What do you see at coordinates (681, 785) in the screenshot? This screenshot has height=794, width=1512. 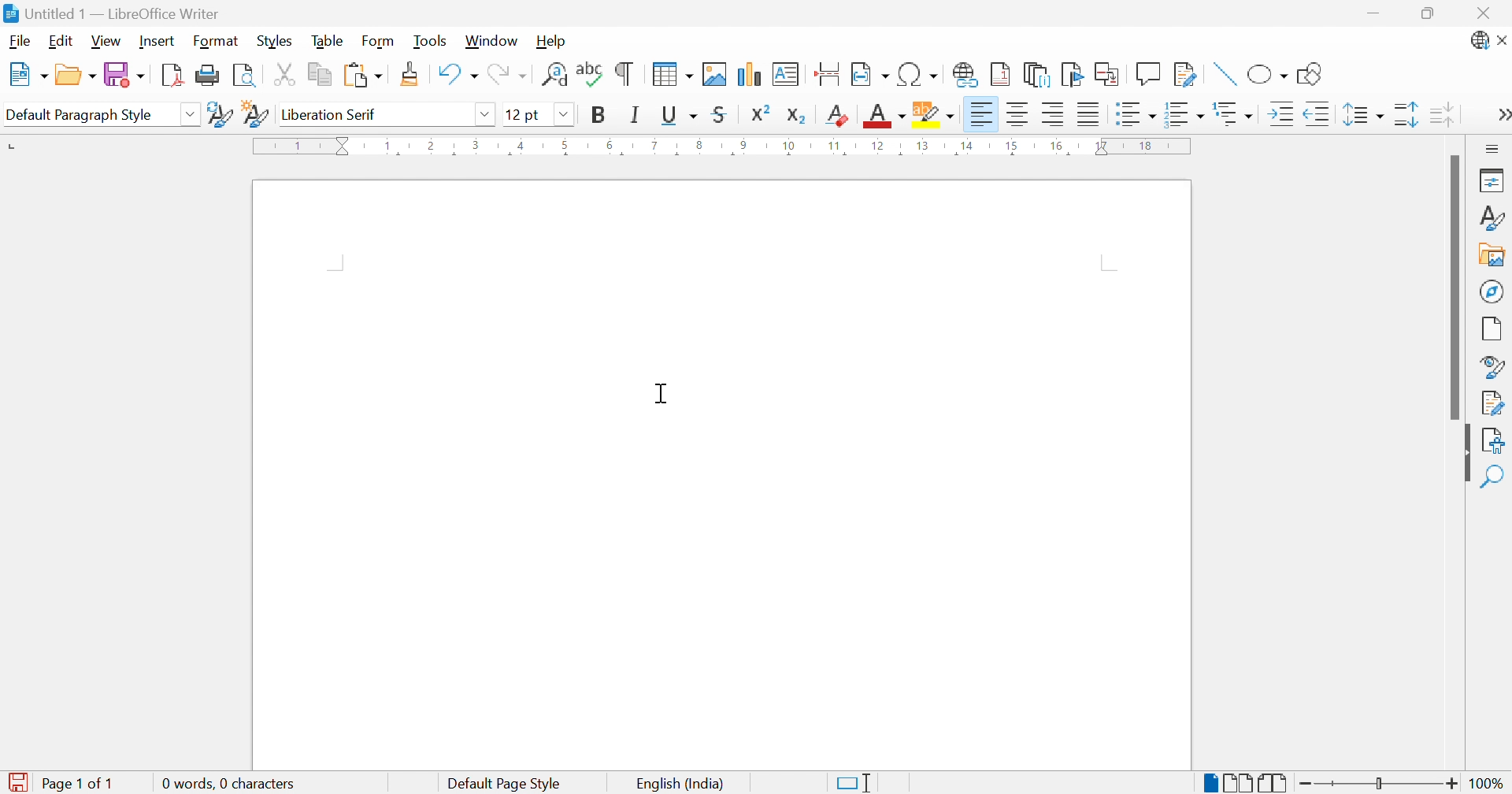 I see `English (India)` at bounding box center [681, 785].